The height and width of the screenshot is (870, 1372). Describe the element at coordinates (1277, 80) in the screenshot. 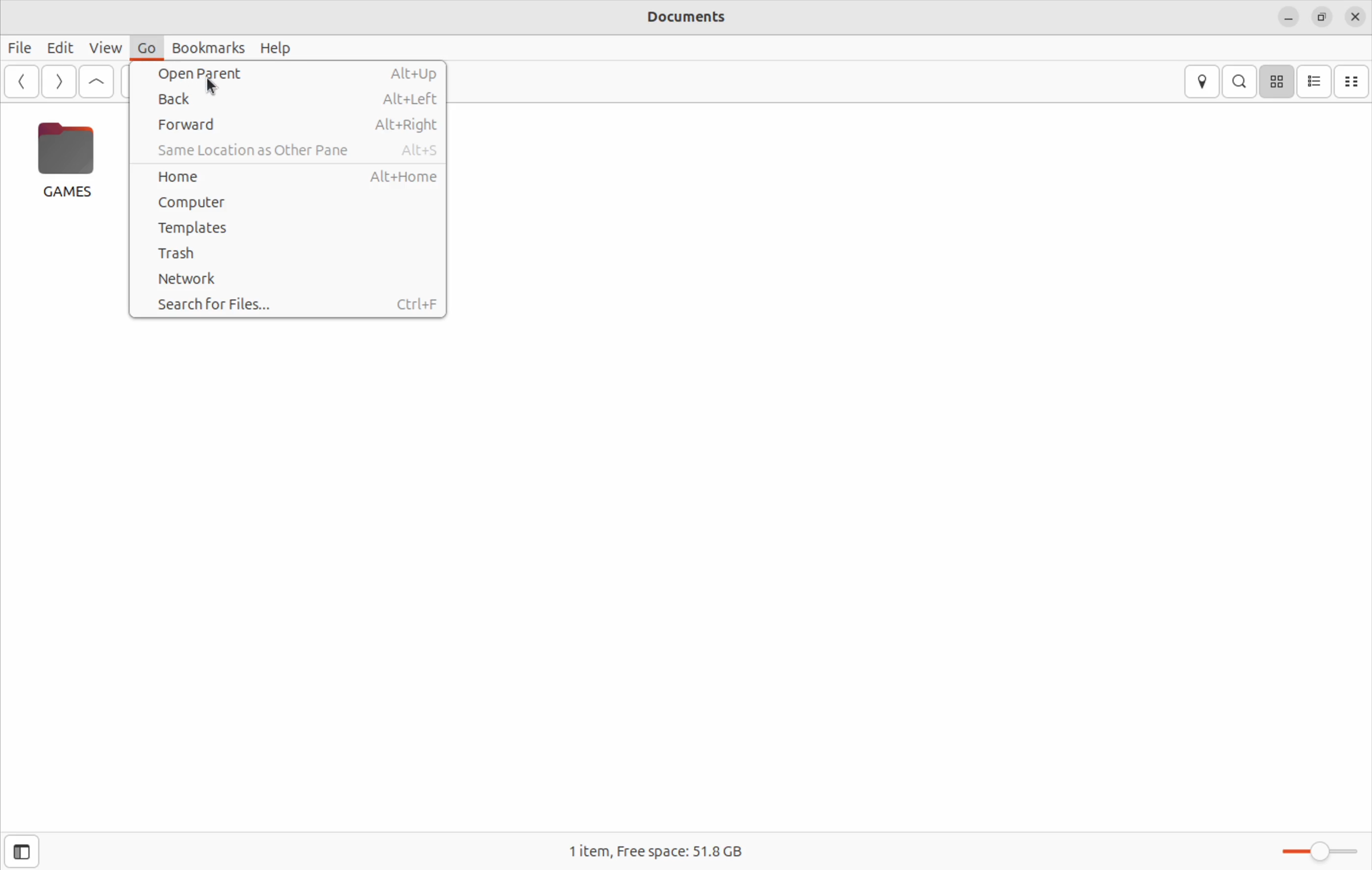

I see `icon view` at that location.